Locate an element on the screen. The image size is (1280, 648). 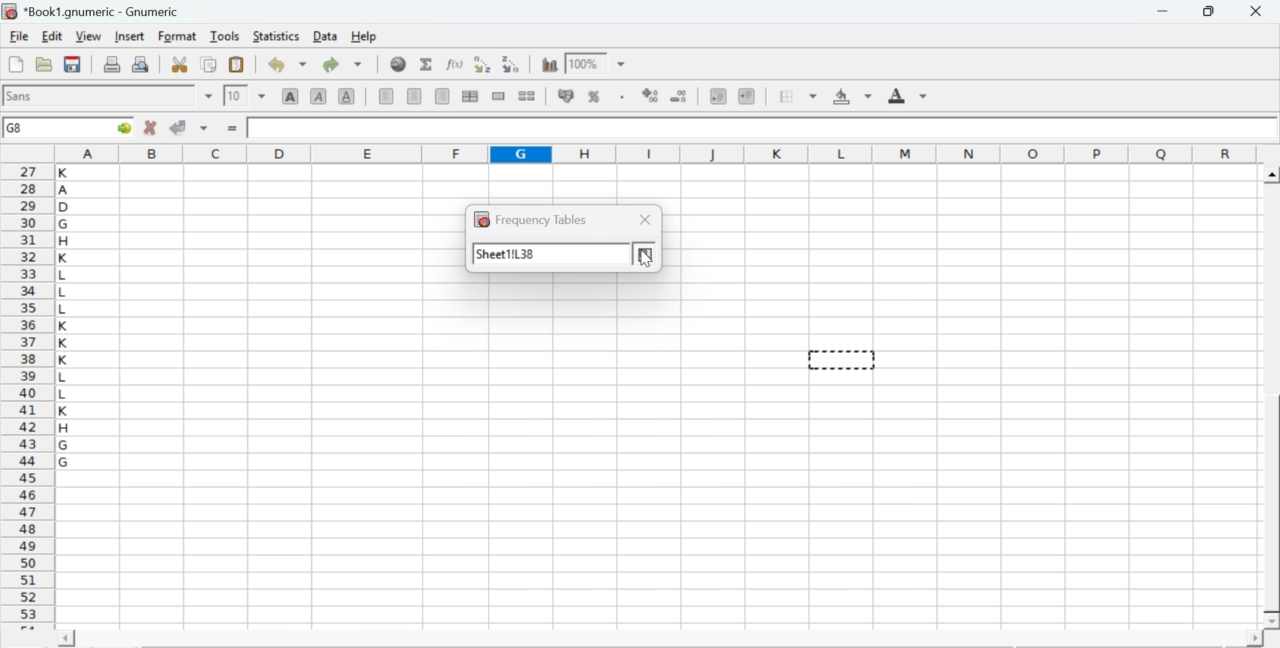
format selection as percentage is located at coordinates (592, 96).